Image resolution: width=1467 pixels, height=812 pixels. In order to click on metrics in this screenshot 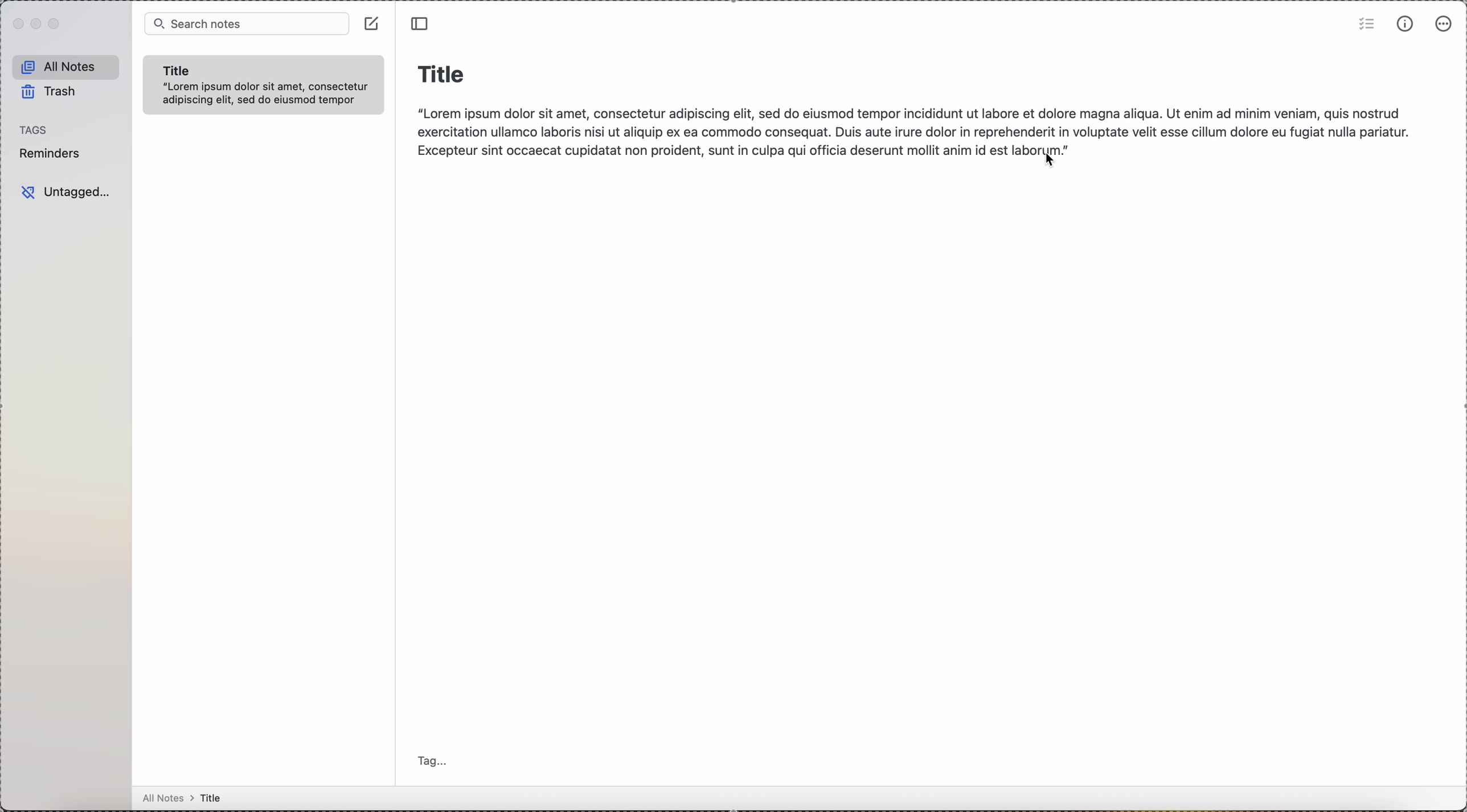, I will do `click(1405, 24)`.